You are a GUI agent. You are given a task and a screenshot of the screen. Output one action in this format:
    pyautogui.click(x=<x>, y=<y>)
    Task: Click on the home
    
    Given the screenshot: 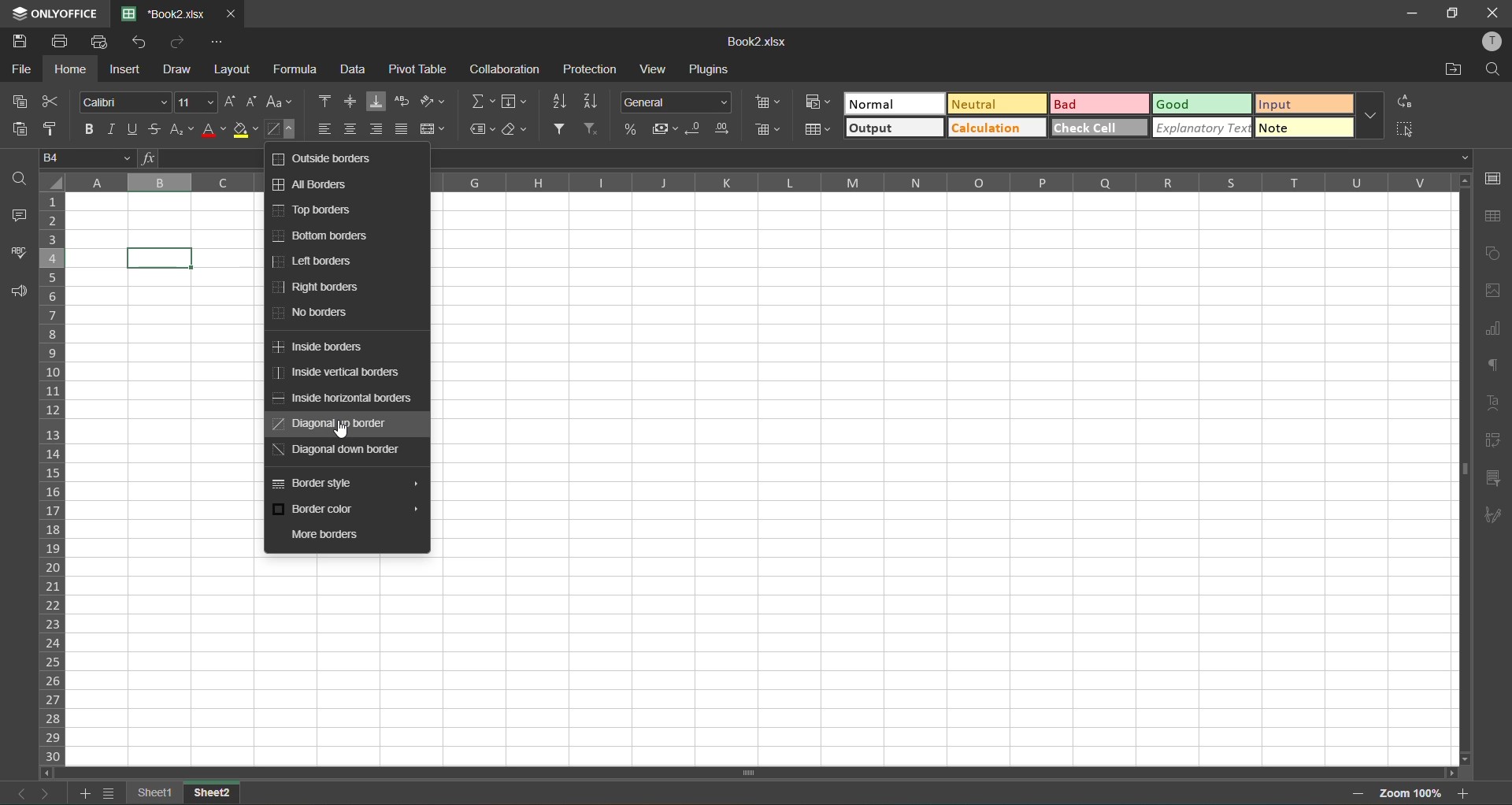 What is the action you would take?
    pyautogui.click(x=74, y=69)
    